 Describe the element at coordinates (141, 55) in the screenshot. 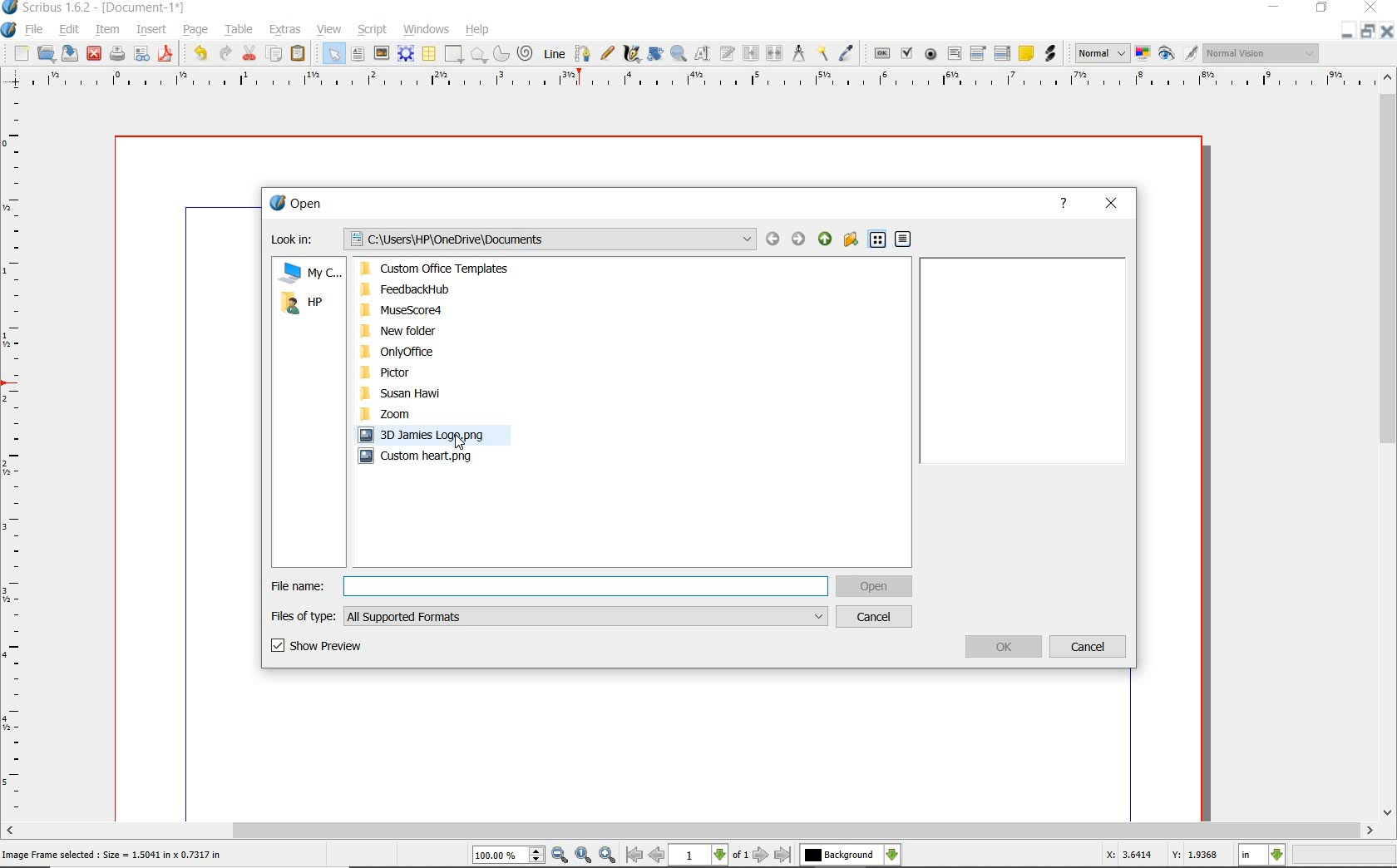

I see `preflight verifier` at that location.